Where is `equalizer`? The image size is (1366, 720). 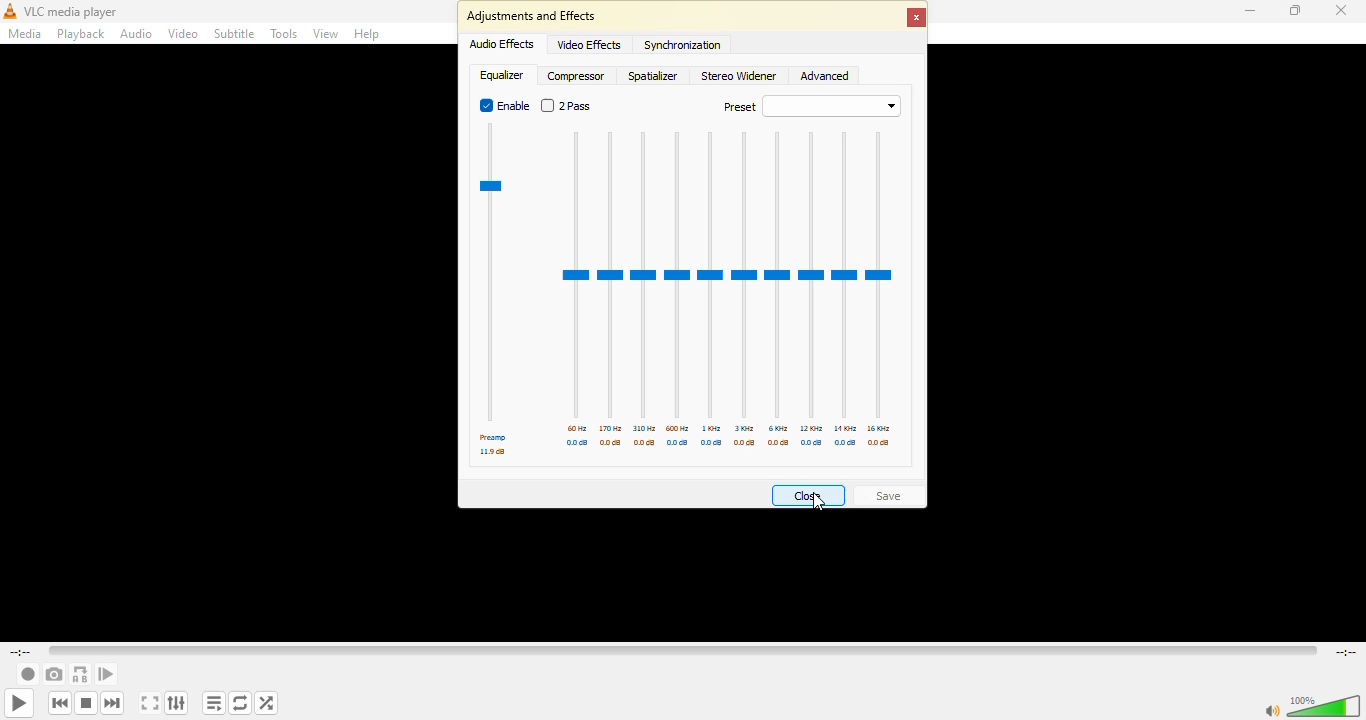 equalizer is located at coordinates (501, 75).